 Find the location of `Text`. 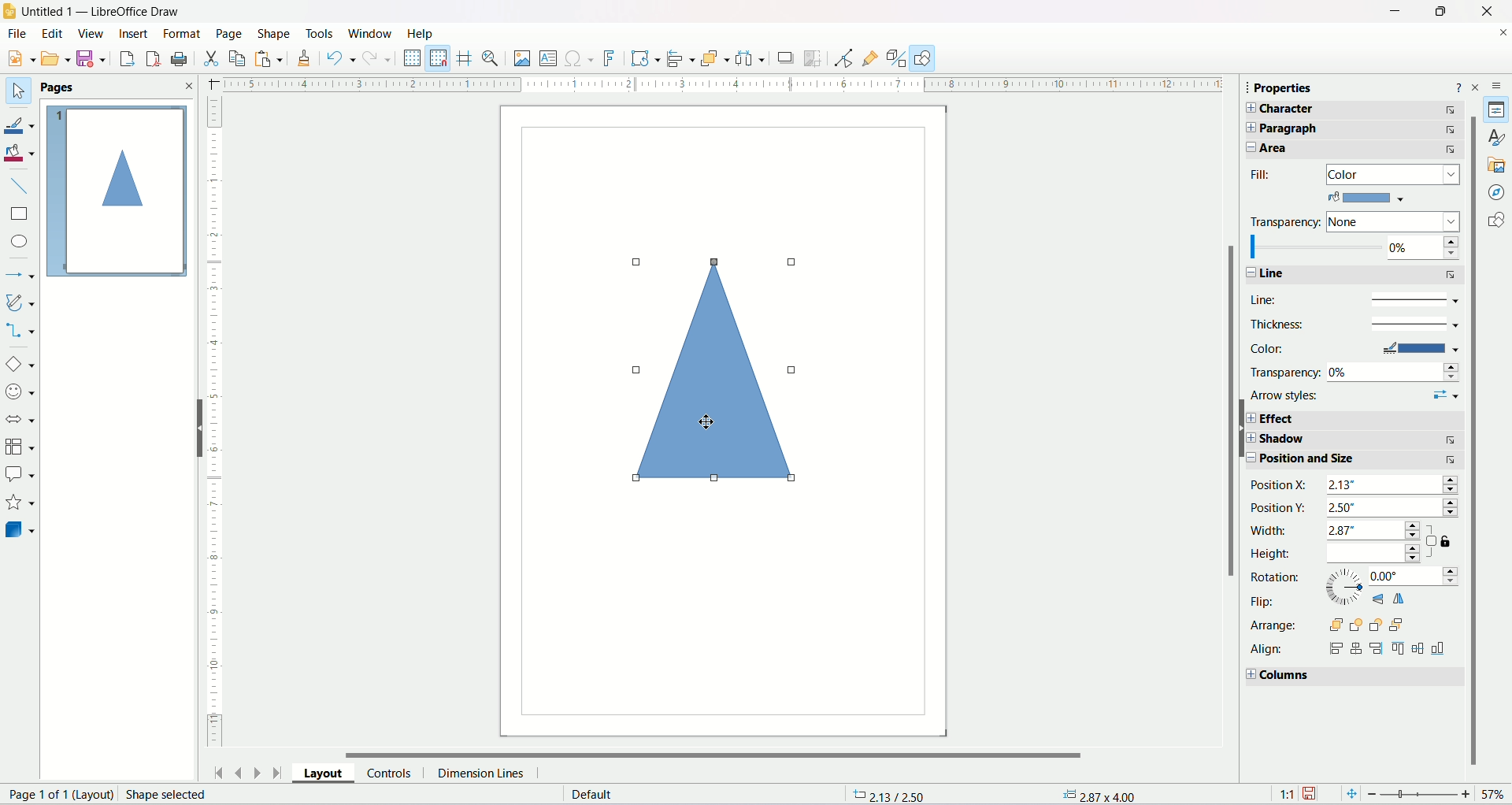

Text is located at coordinates (1099, 796).